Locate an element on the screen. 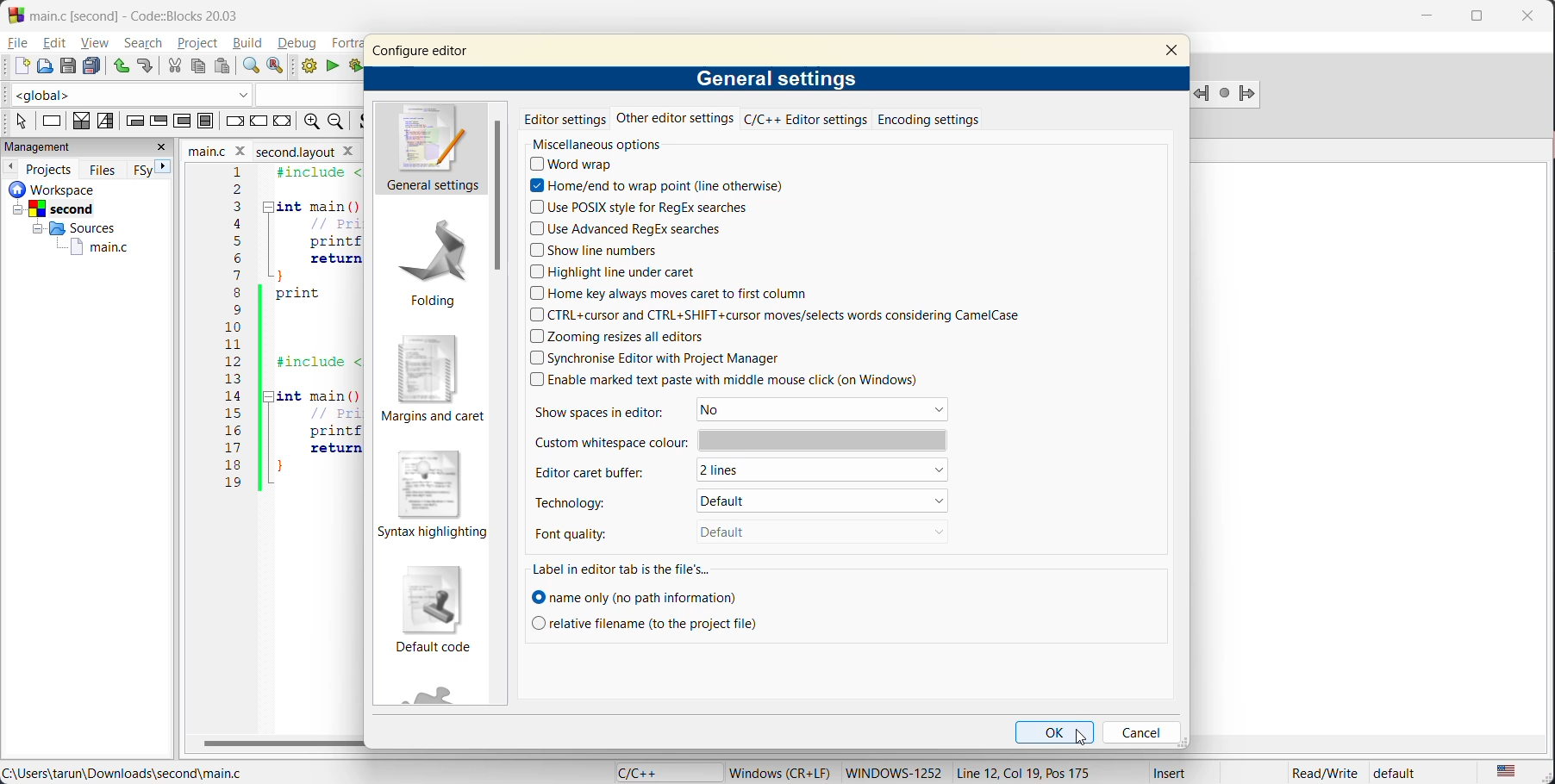 The image size is (1555, 784). exit condition loop is located at coordinates (158, 120).